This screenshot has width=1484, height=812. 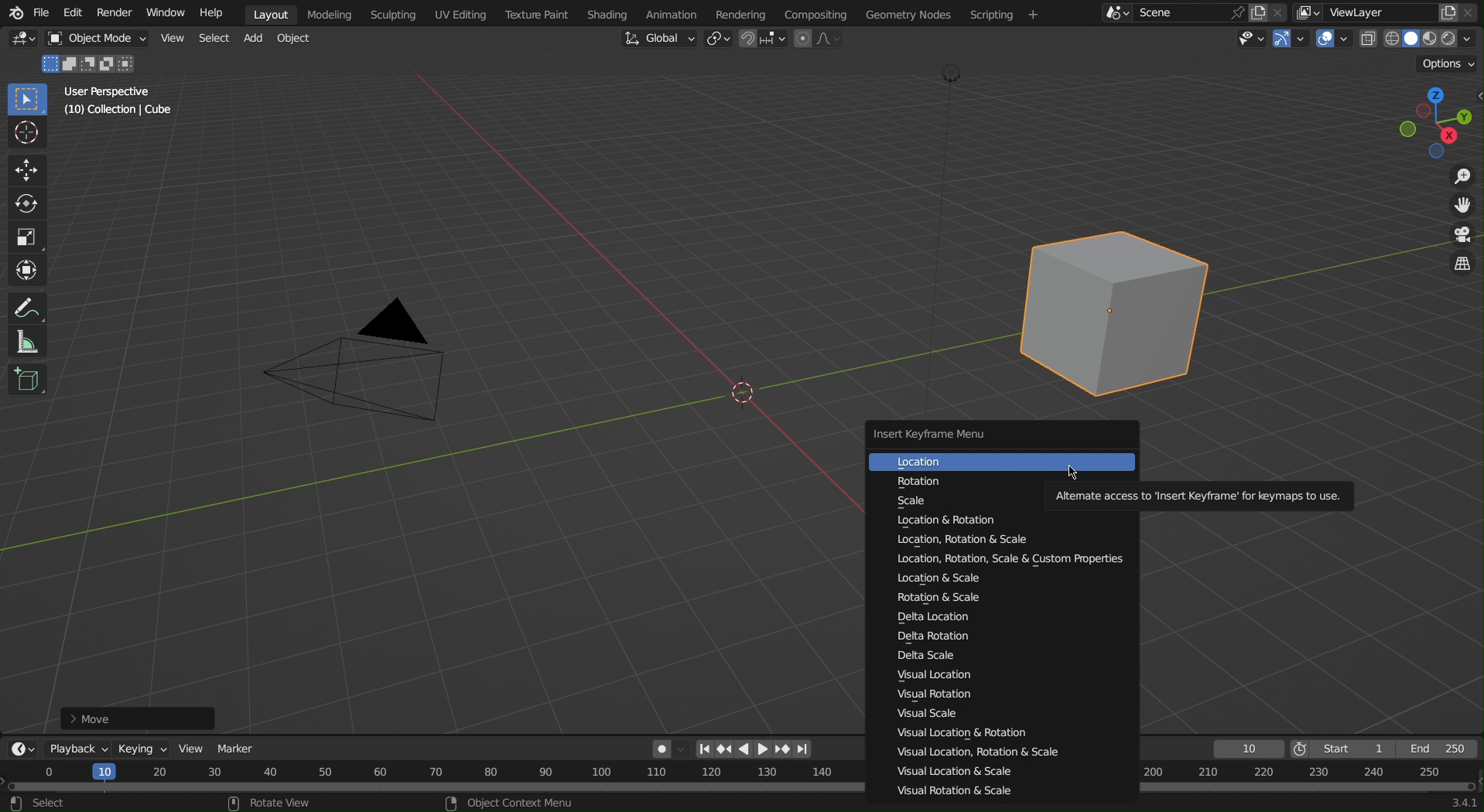 I want to click on left, so click(x=745, y=749).